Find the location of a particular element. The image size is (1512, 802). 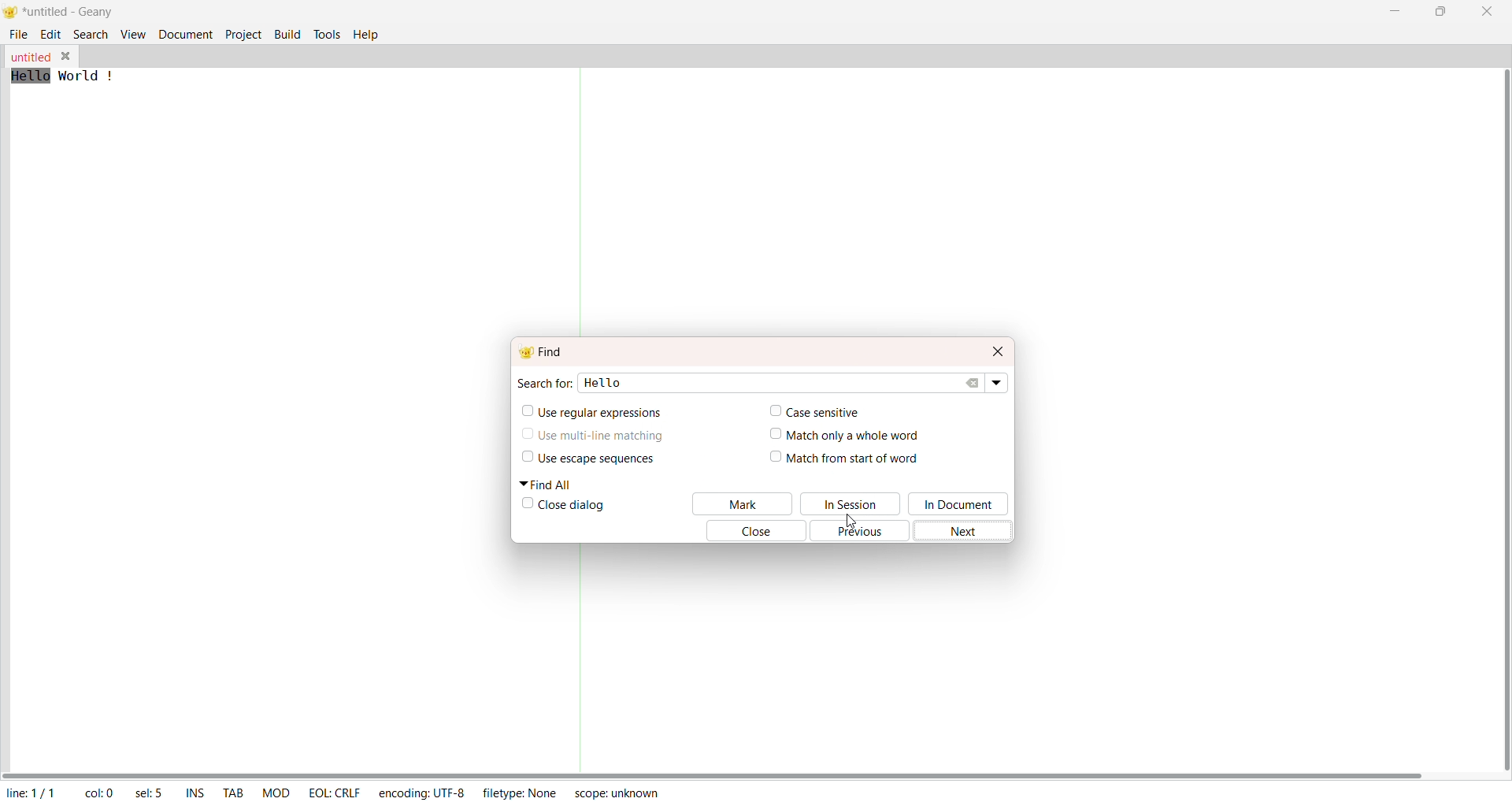

In Document is located at coordinates (962, 504).